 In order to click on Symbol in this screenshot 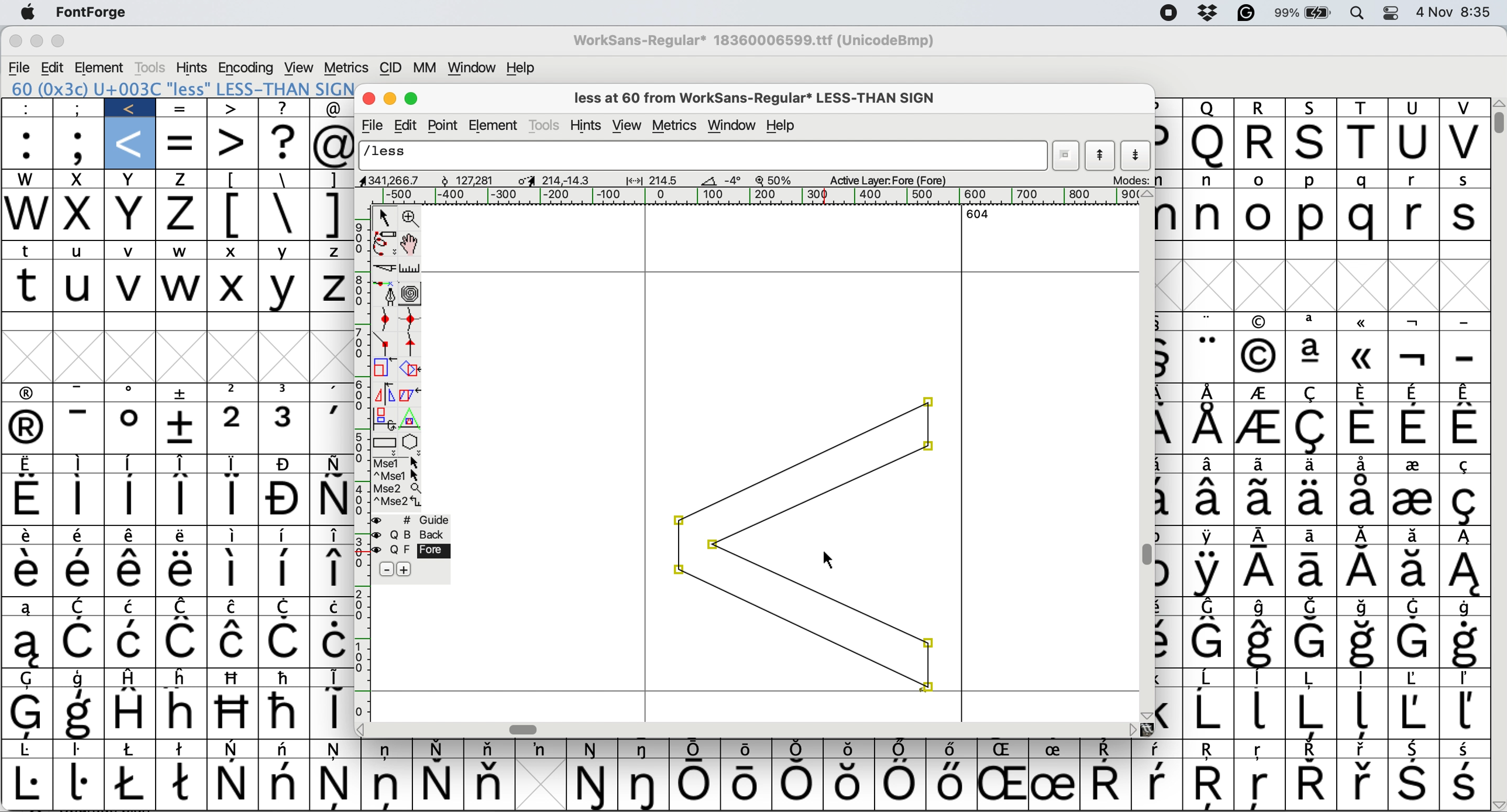, I will do `click(1364, 428)`.